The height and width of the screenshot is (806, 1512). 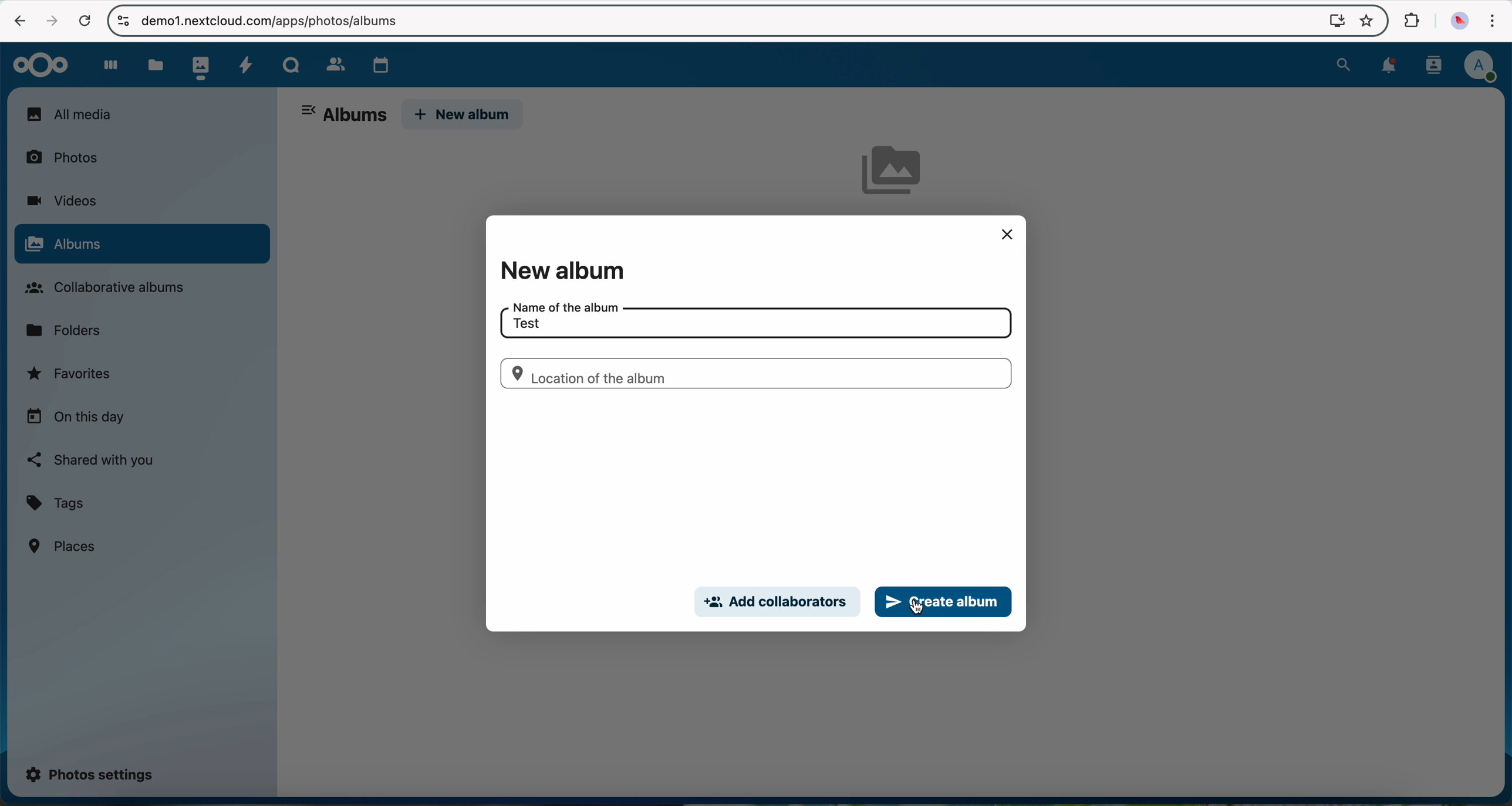 What do you see at coordinates (776, 603) in the screenshot?
I see `enable add collaborators` at bounding box center [776, 603].